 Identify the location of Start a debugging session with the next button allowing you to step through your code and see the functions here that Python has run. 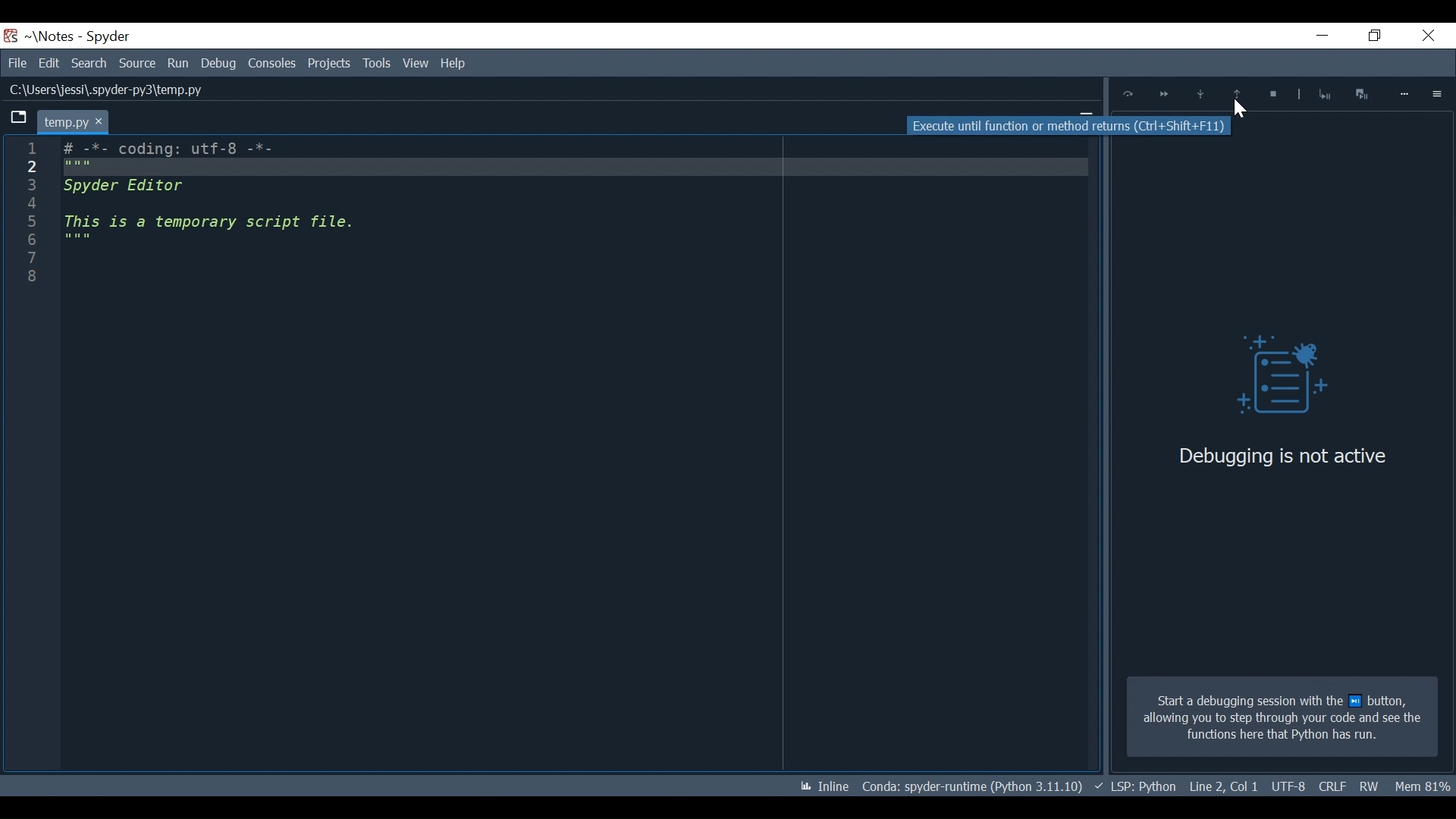
(1282, 717).